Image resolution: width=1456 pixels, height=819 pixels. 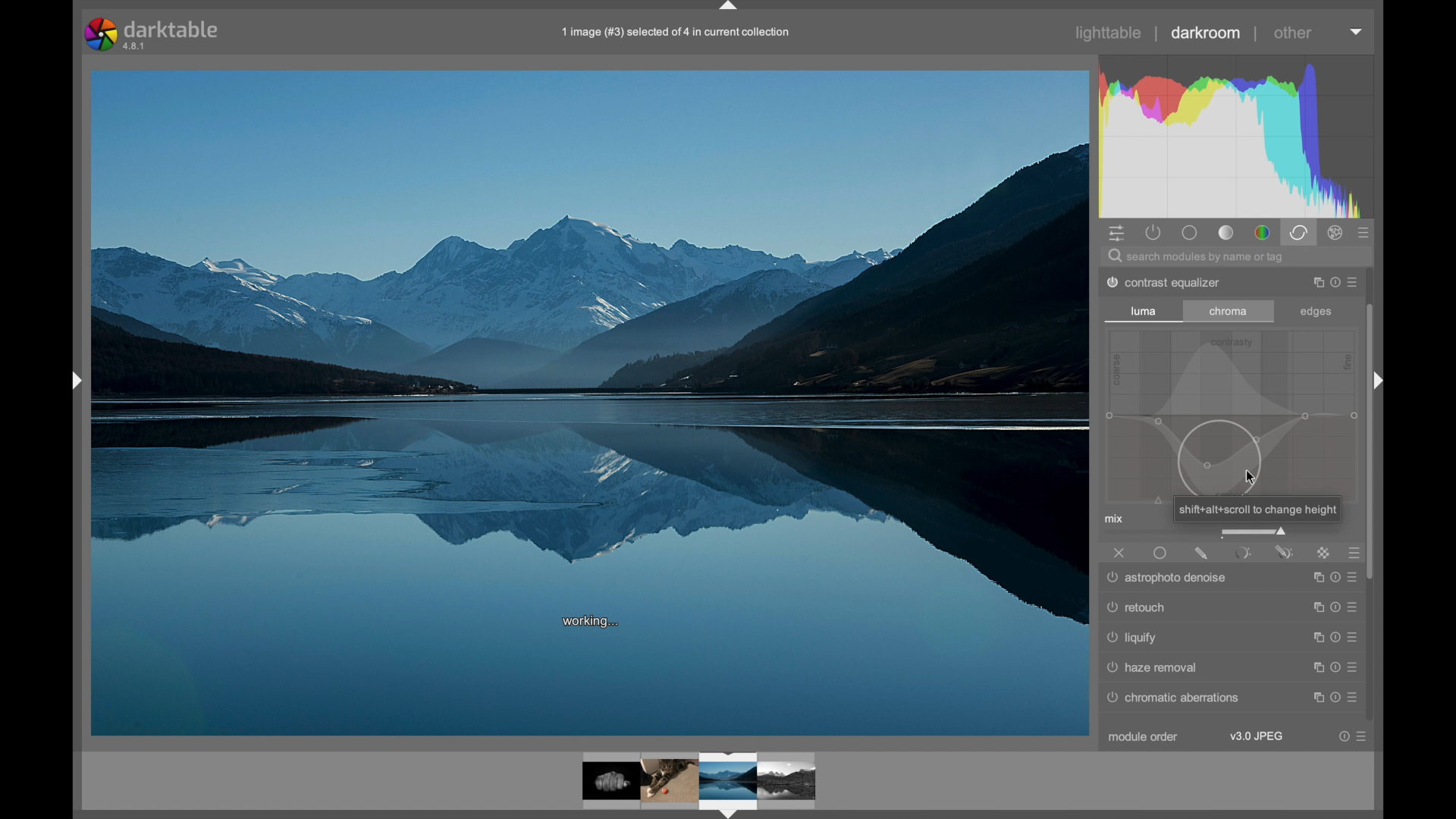 What do you see at coordinates (1201, 553) in the screenshot?
I see `drawnmask` at bounding box center [1201, 553].